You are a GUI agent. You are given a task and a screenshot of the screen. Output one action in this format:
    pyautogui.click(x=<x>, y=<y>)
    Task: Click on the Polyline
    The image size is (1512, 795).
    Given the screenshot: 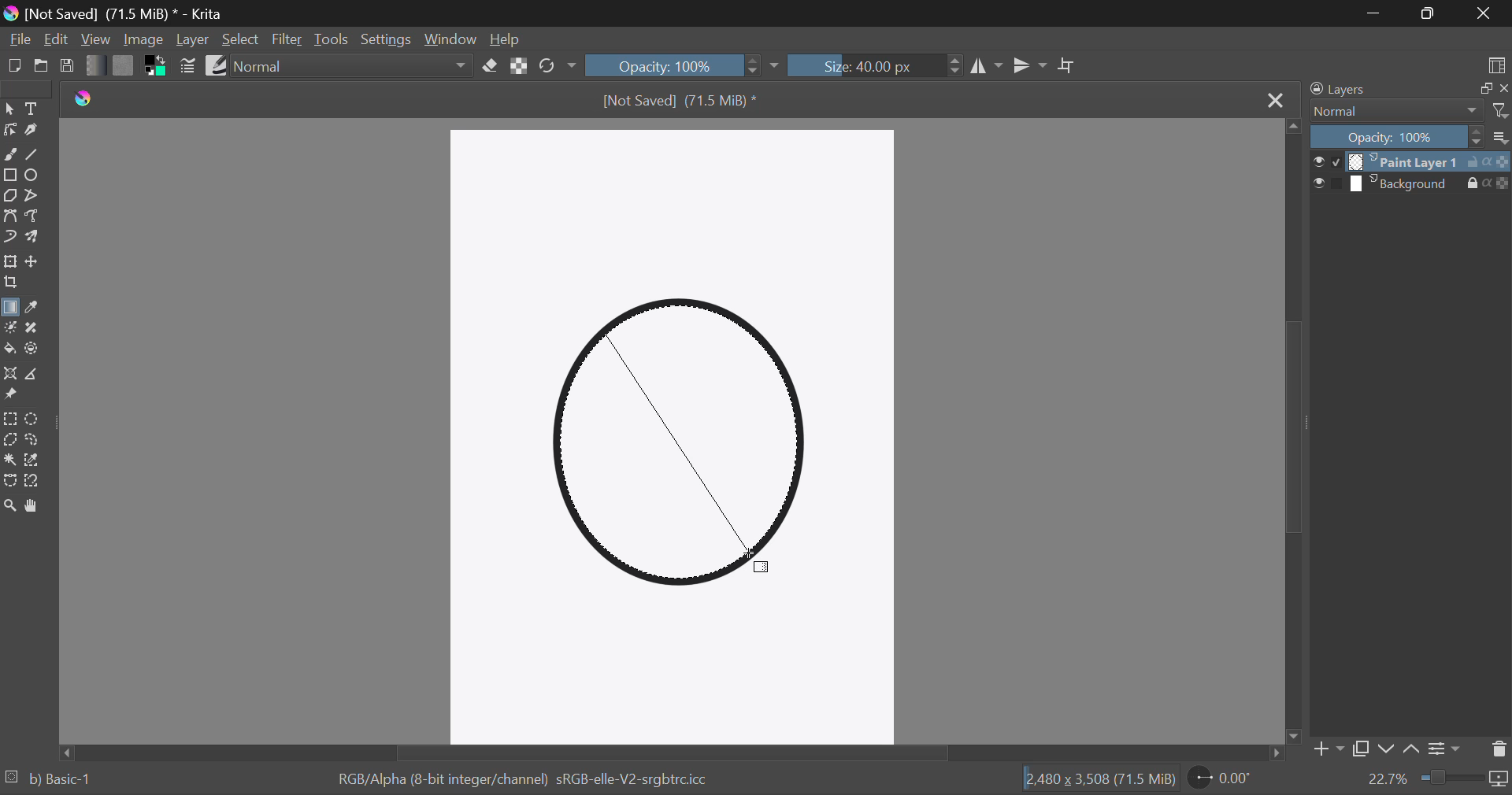 What is the action you would take?
    pyautogui.click(x=36, y=198)
    